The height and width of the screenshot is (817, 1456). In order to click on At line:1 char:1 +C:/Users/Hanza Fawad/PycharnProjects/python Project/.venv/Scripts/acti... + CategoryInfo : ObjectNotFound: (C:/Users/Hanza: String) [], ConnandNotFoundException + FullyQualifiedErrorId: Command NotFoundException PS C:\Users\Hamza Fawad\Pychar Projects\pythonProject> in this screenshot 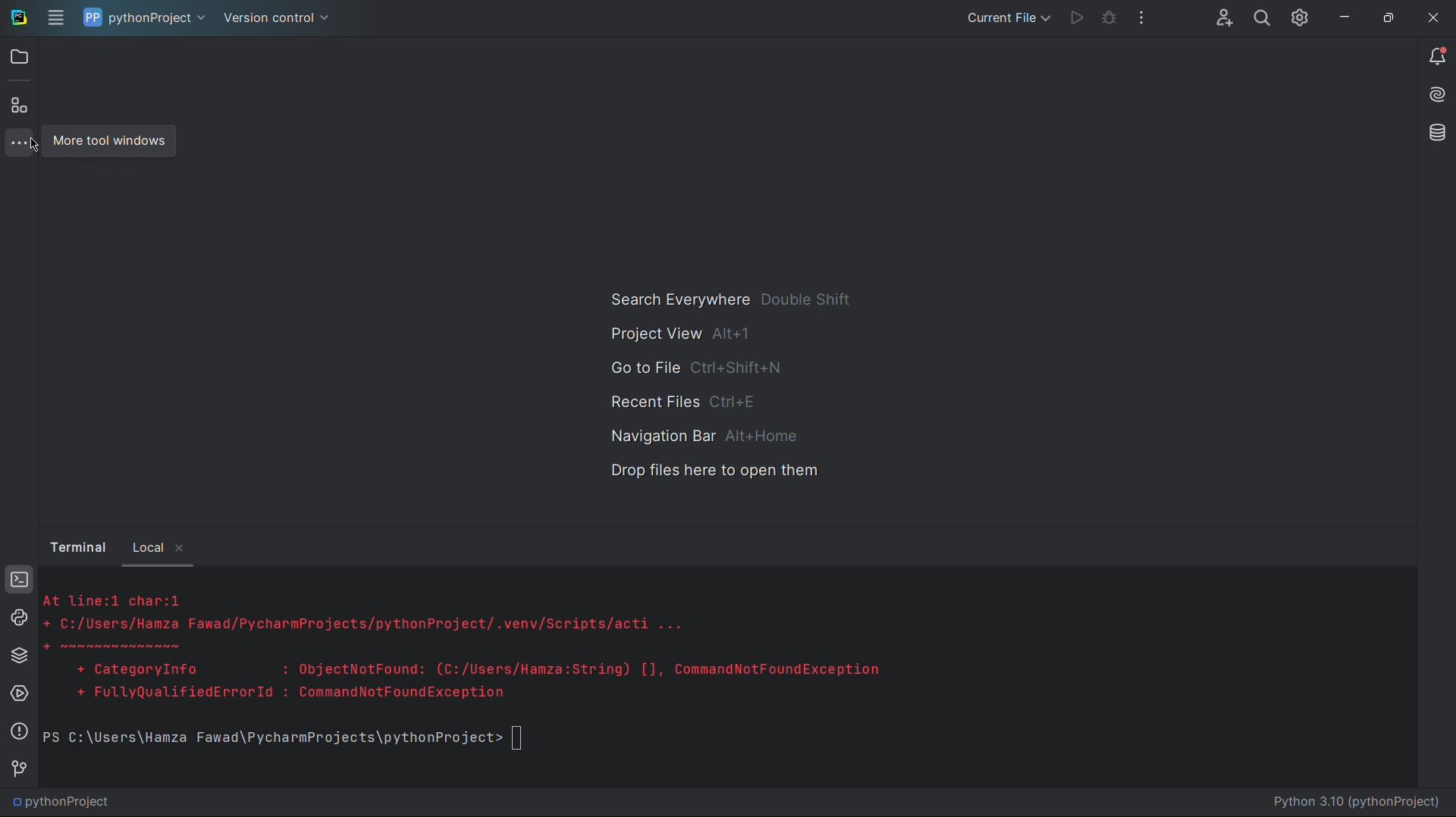, I will do `click(466, 684)`.